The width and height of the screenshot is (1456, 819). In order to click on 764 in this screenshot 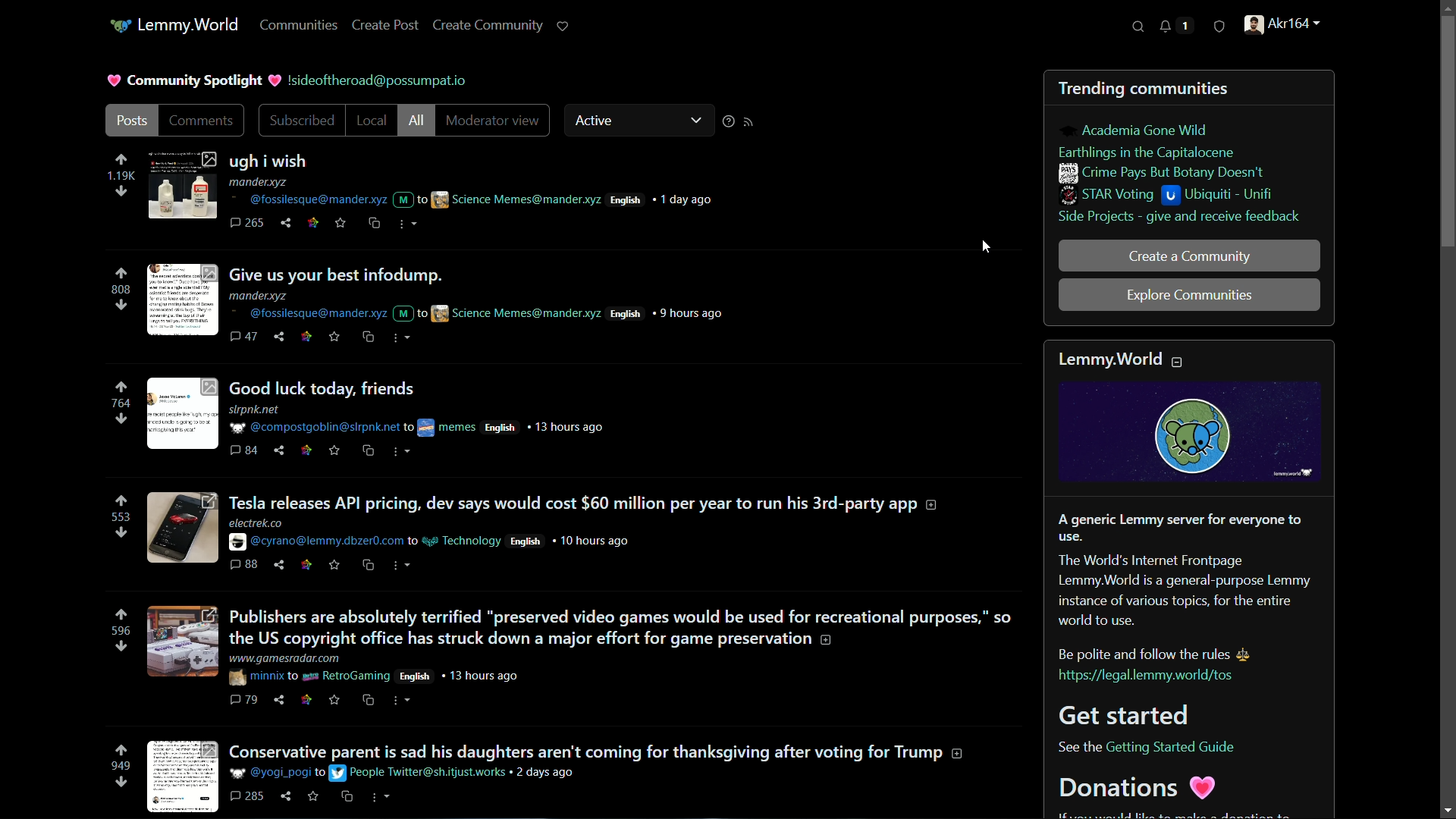, I will do `click(122, 403)`.